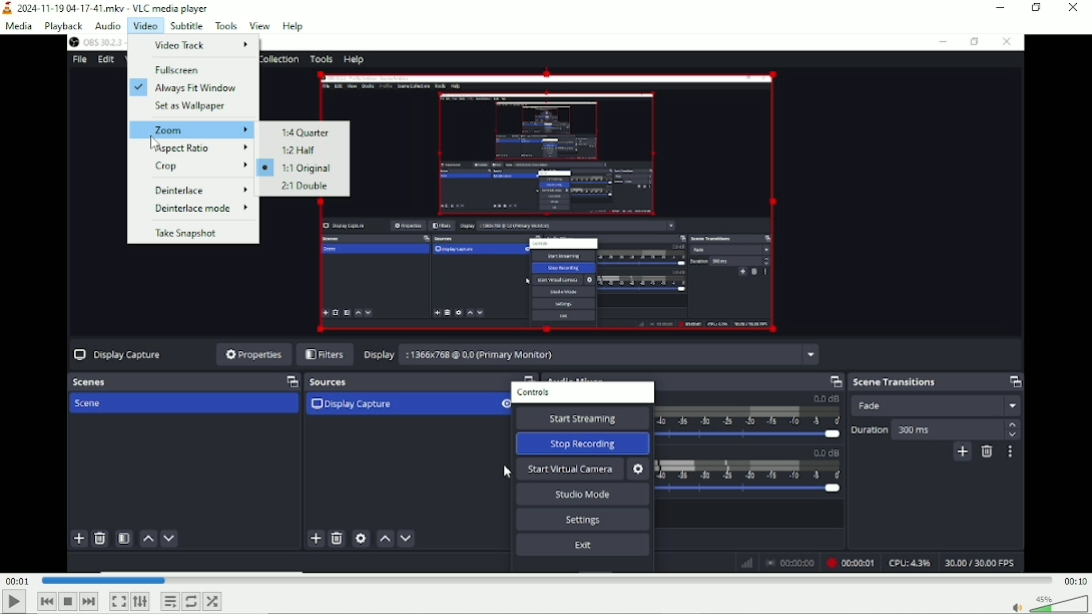 This screenshot has height=614, width=1092. What do you see at coordinates (303, 187) in the screenshot?
I see `double` at bounding box center [303, 187].